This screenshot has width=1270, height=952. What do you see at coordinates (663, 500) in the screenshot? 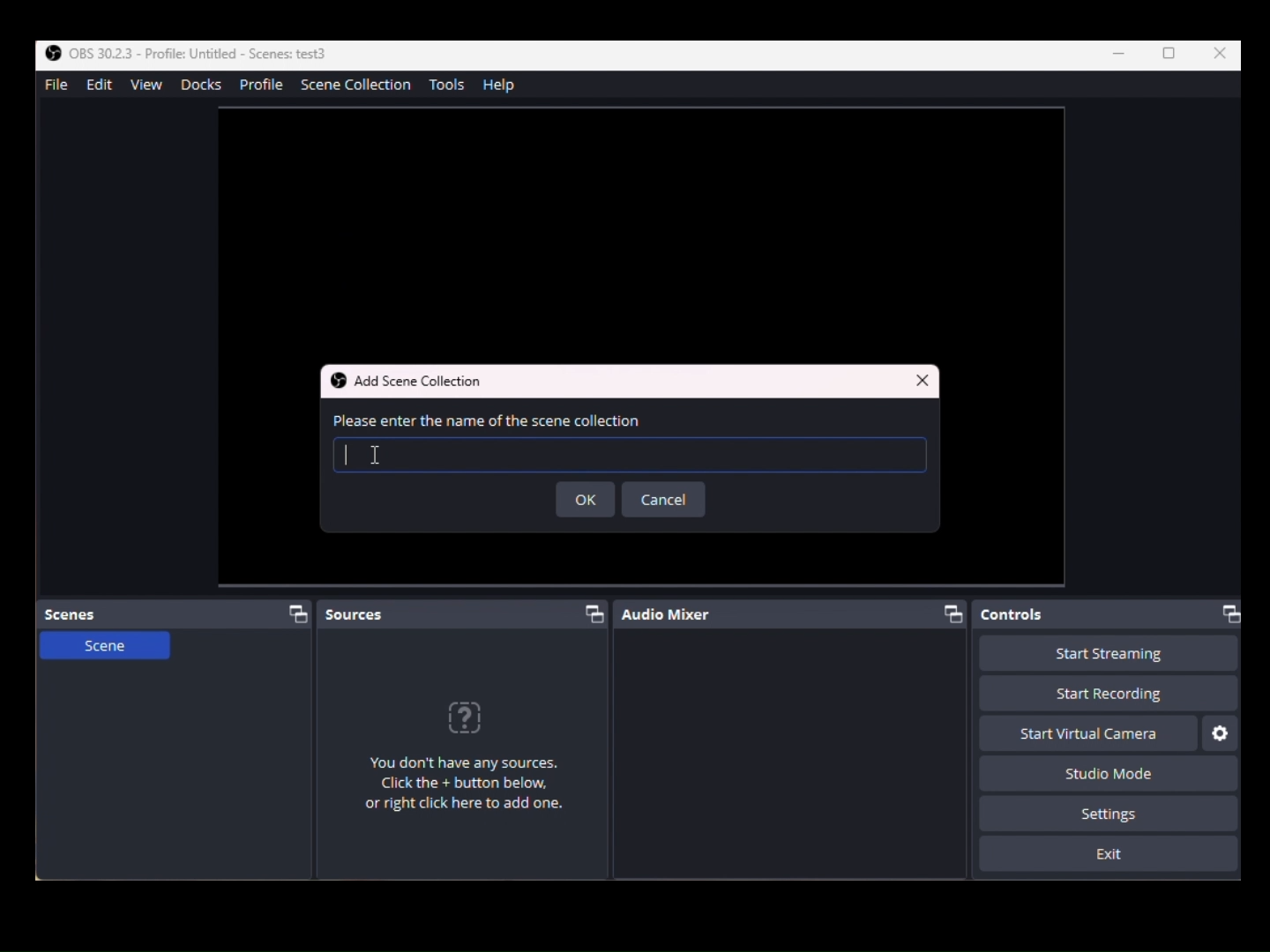
I see `Cancel` at bounding box center [663, 500].